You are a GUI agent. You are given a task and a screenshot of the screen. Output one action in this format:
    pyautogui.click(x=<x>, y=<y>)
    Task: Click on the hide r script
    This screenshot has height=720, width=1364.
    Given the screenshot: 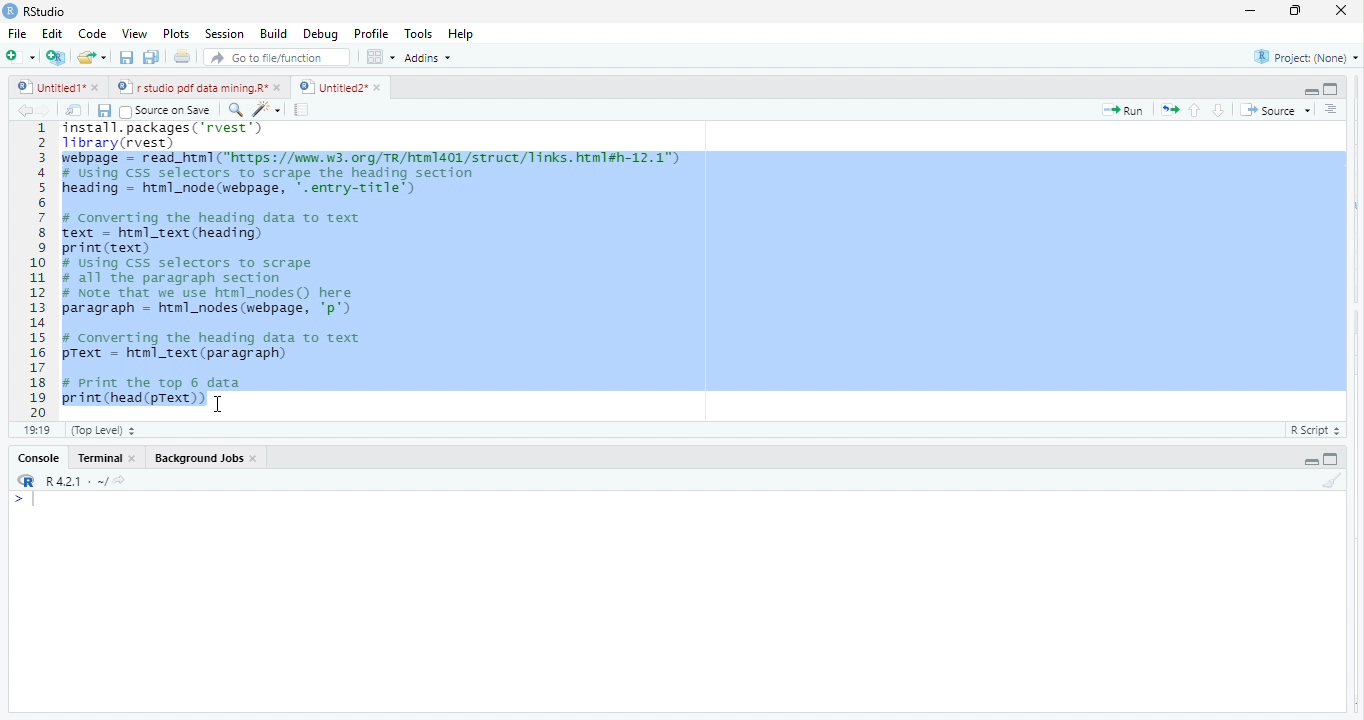 What is the action you would take?
    pyautogui.click(x=1309, y=89)
    